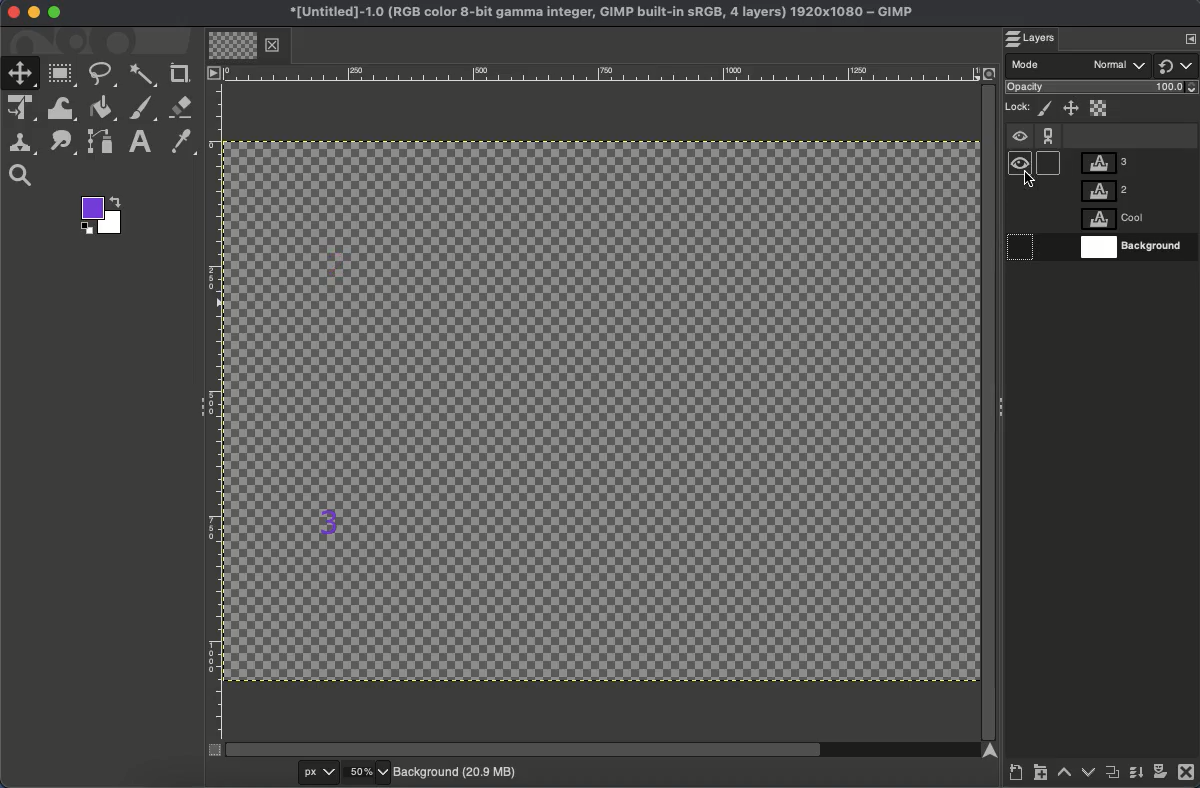 This screenshot has height=788, width=1200. Describe the element at coordinates (1047, 109) in the screenshot. I see `Lock pixels` at that location.